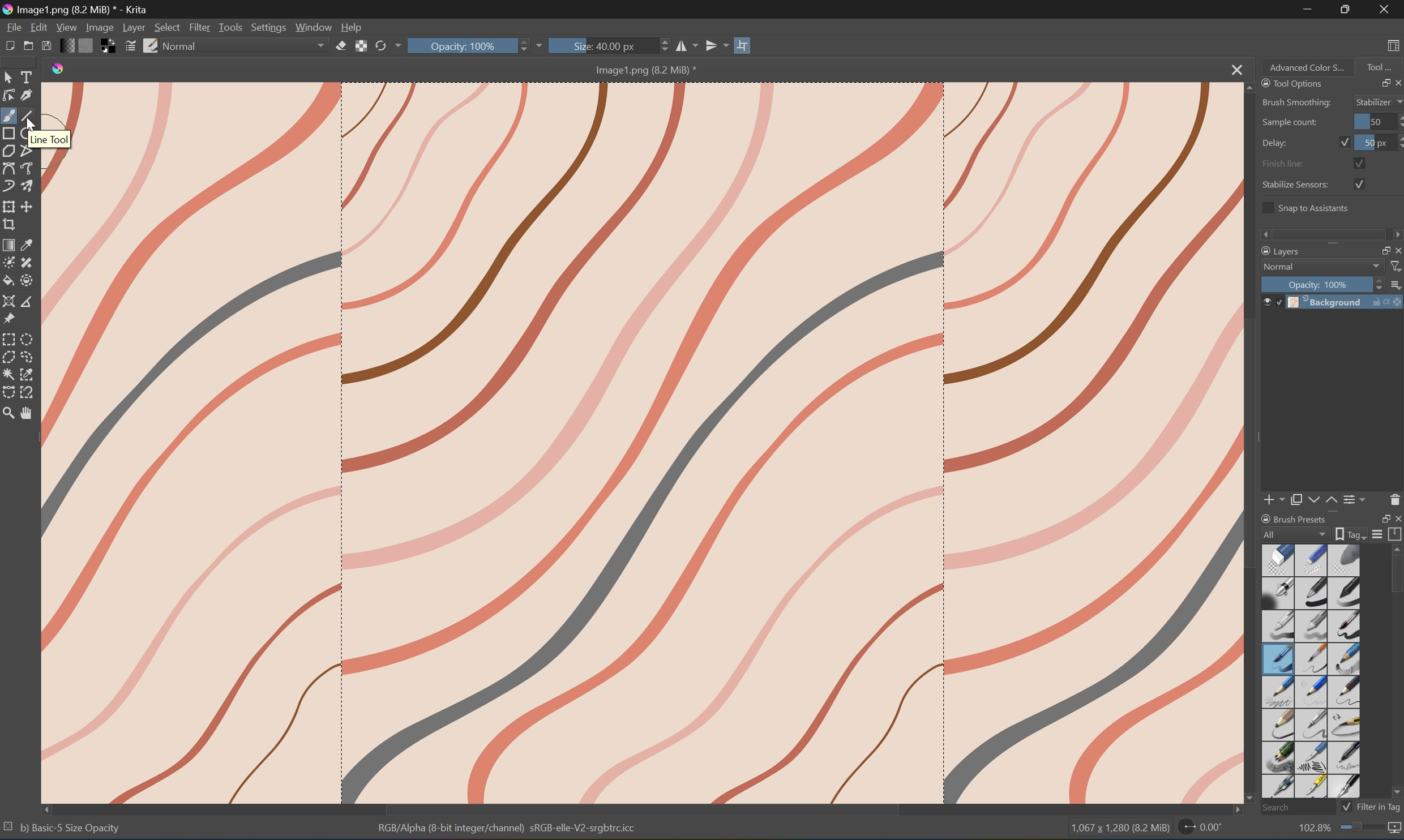 The height and width of the screenshot is (840, 1404). Describe the element at coordinates (1290, 82) in the screenshot. I see `Tool Options` at that location.